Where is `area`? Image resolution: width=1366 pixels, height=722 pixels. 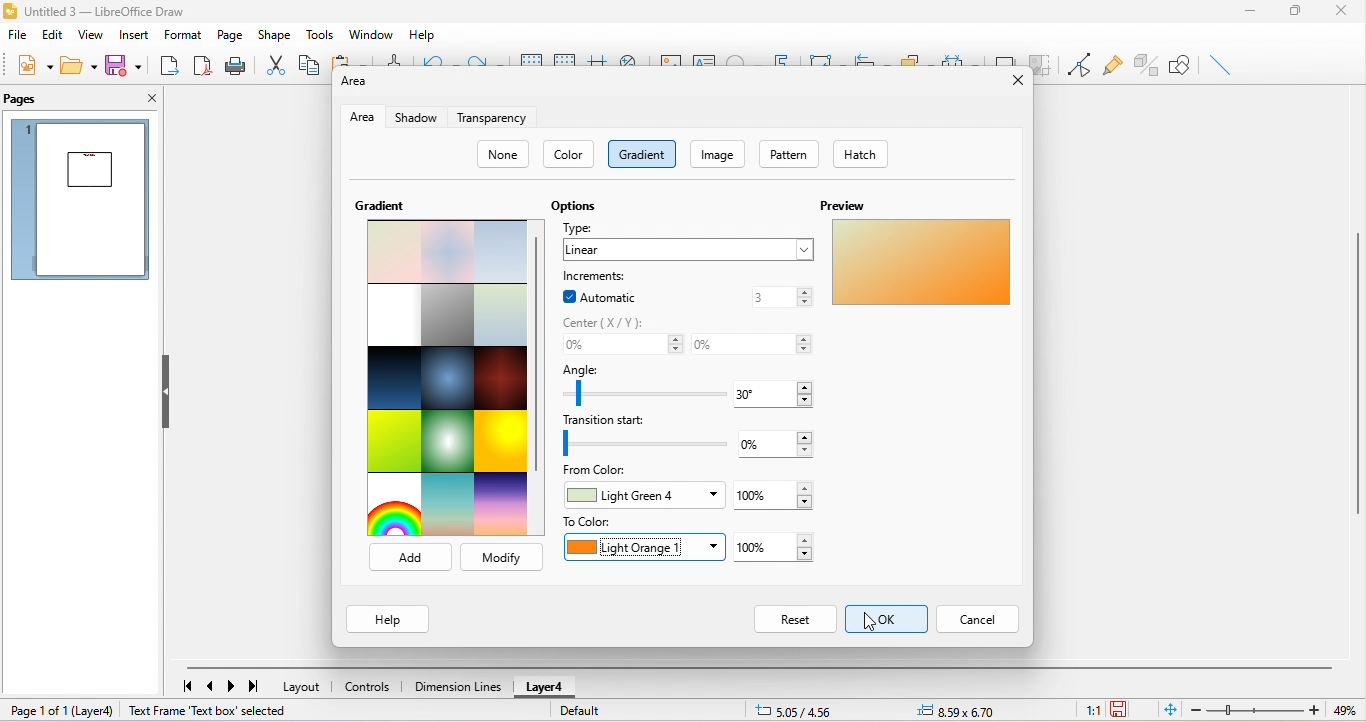
area is located at coordinates (352, 87).